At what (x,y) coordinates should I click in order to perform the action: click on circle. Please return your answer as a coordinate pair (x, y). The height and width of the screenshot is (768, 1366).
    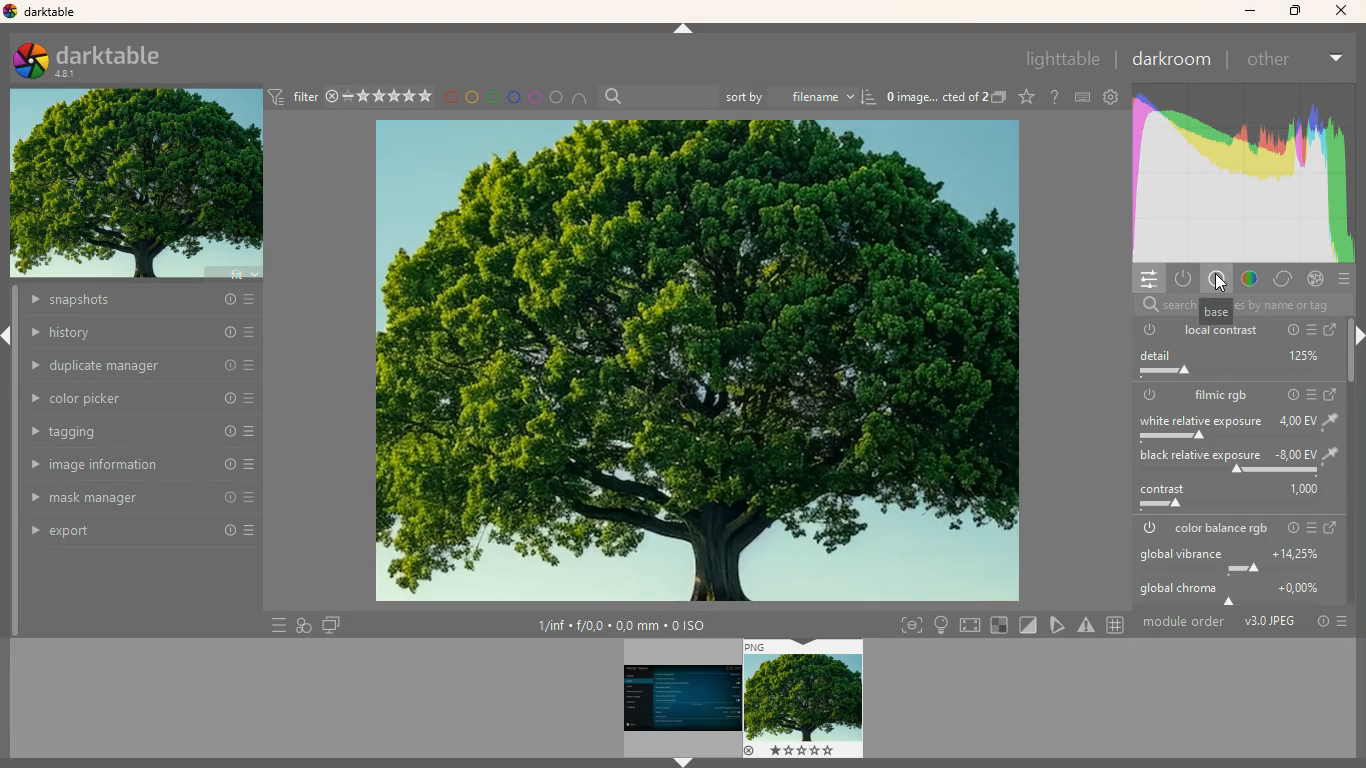
    Looking at the image, I should click on (556, 95).